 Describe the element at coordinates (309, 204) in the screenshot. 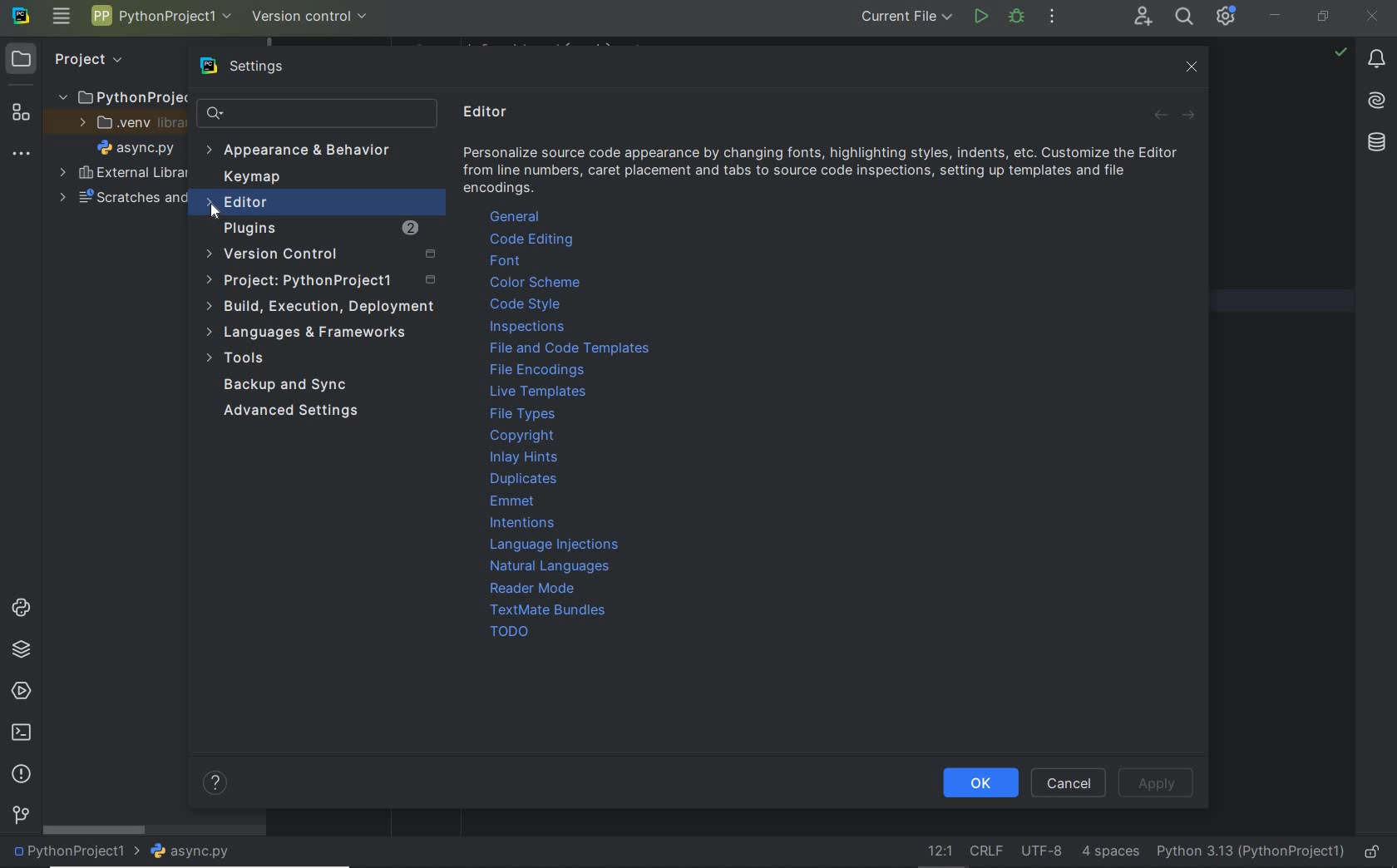

I see `editor` at that location.